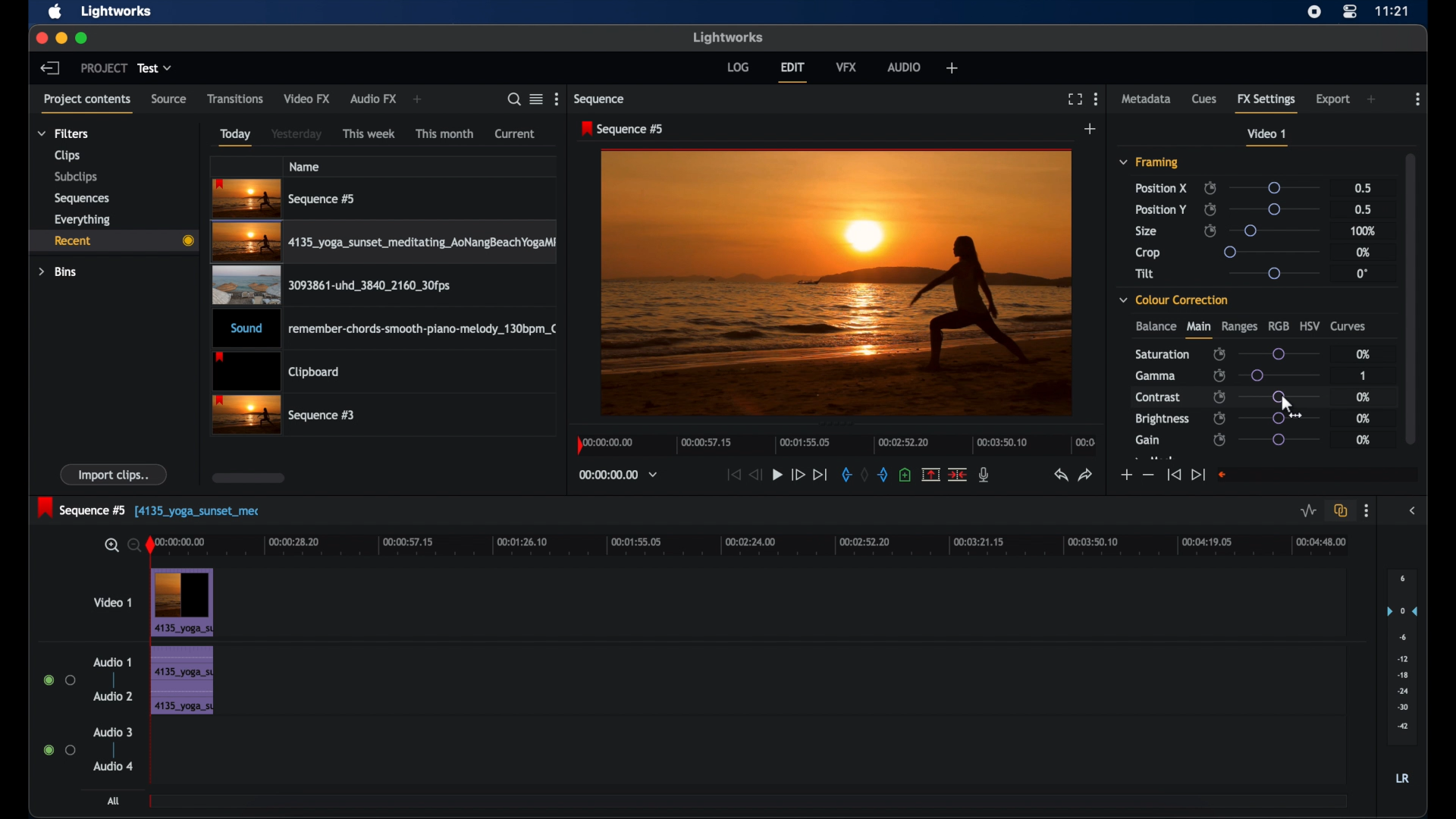  Describe the element at coordinates (1239, 327) in the screenshot. I see `ranges` at that location.